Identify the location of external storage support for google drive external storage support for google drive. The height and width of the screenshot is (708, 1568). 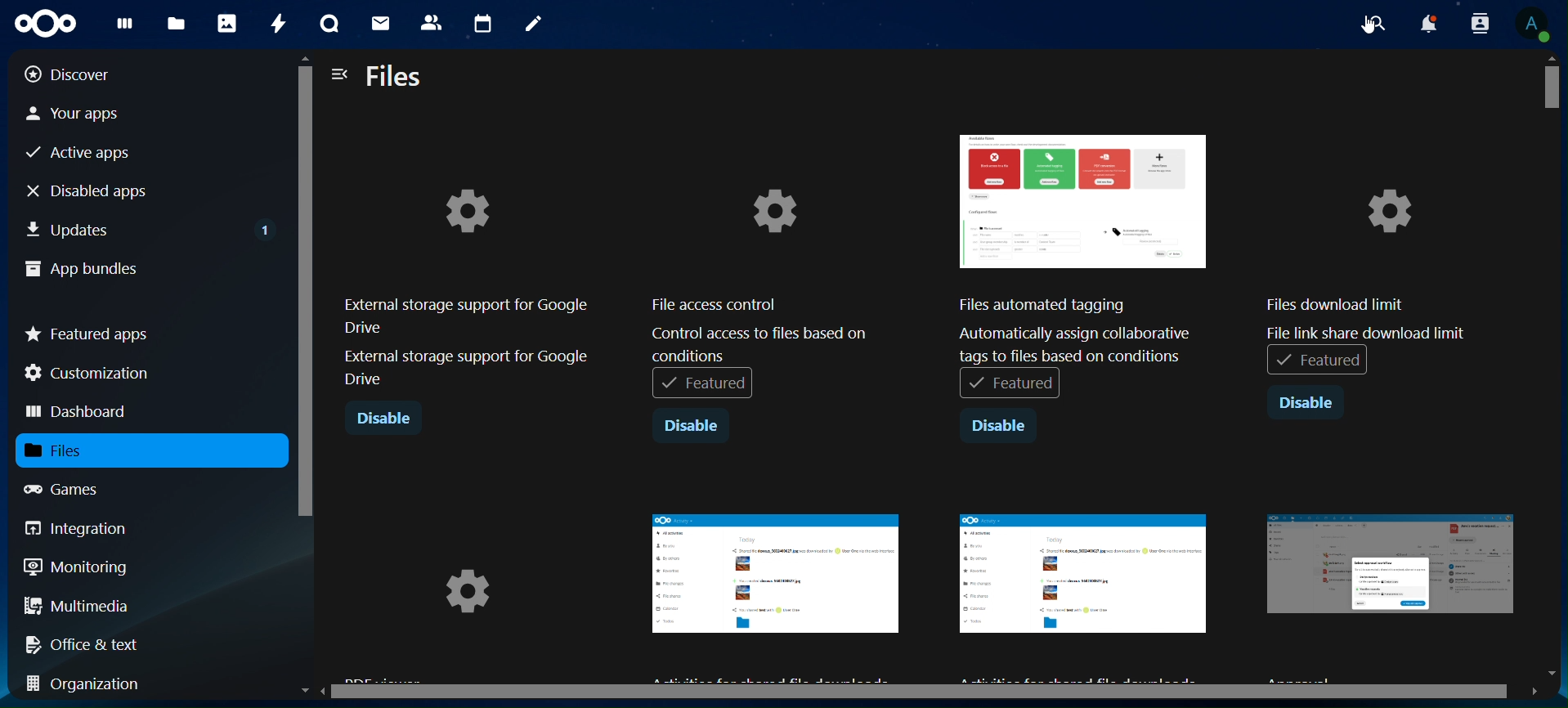
(464, 285).